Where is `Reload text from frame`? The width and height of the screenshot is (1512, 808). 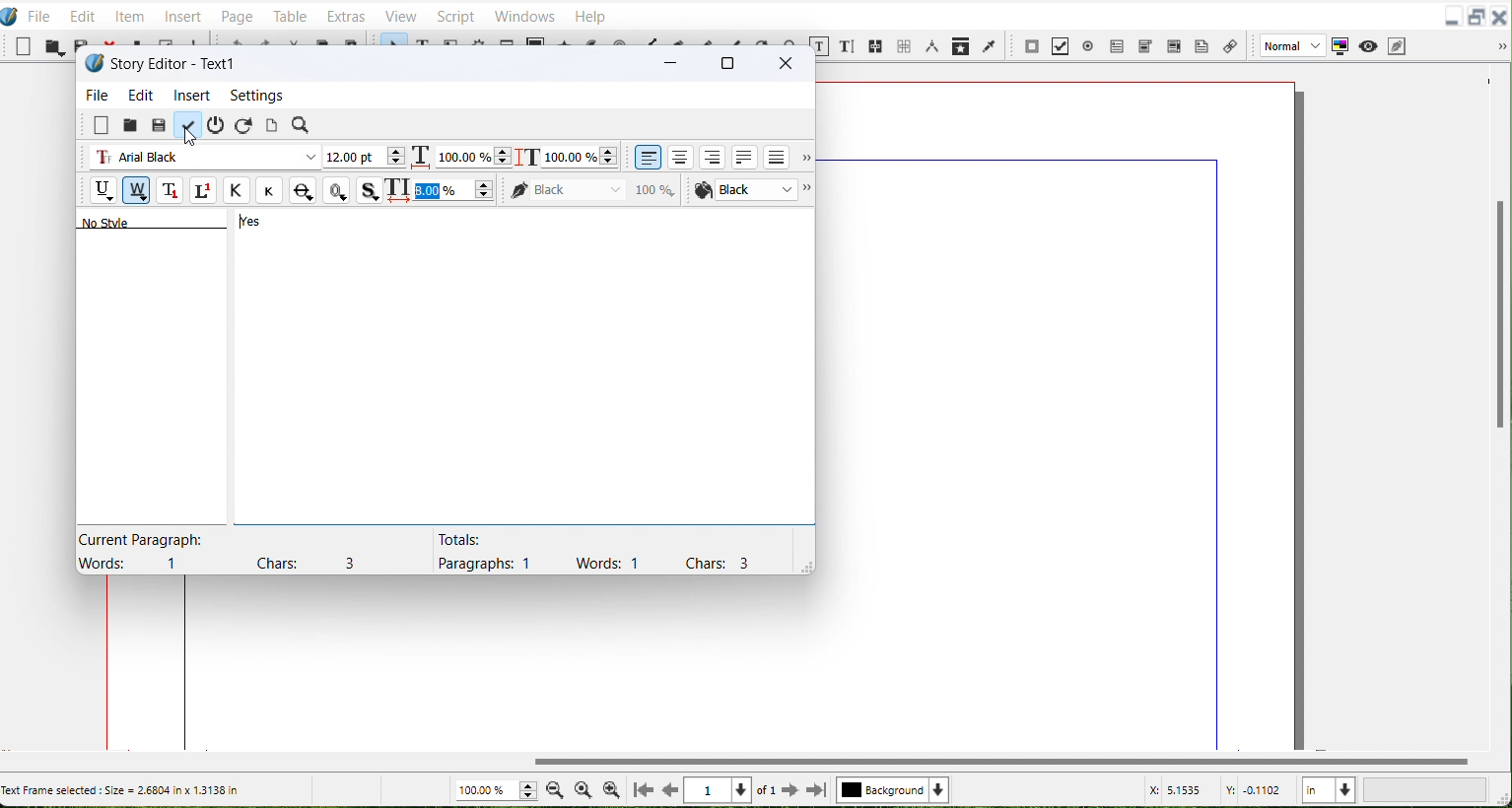
Reload text from frame is located at coordinates (243, 124).